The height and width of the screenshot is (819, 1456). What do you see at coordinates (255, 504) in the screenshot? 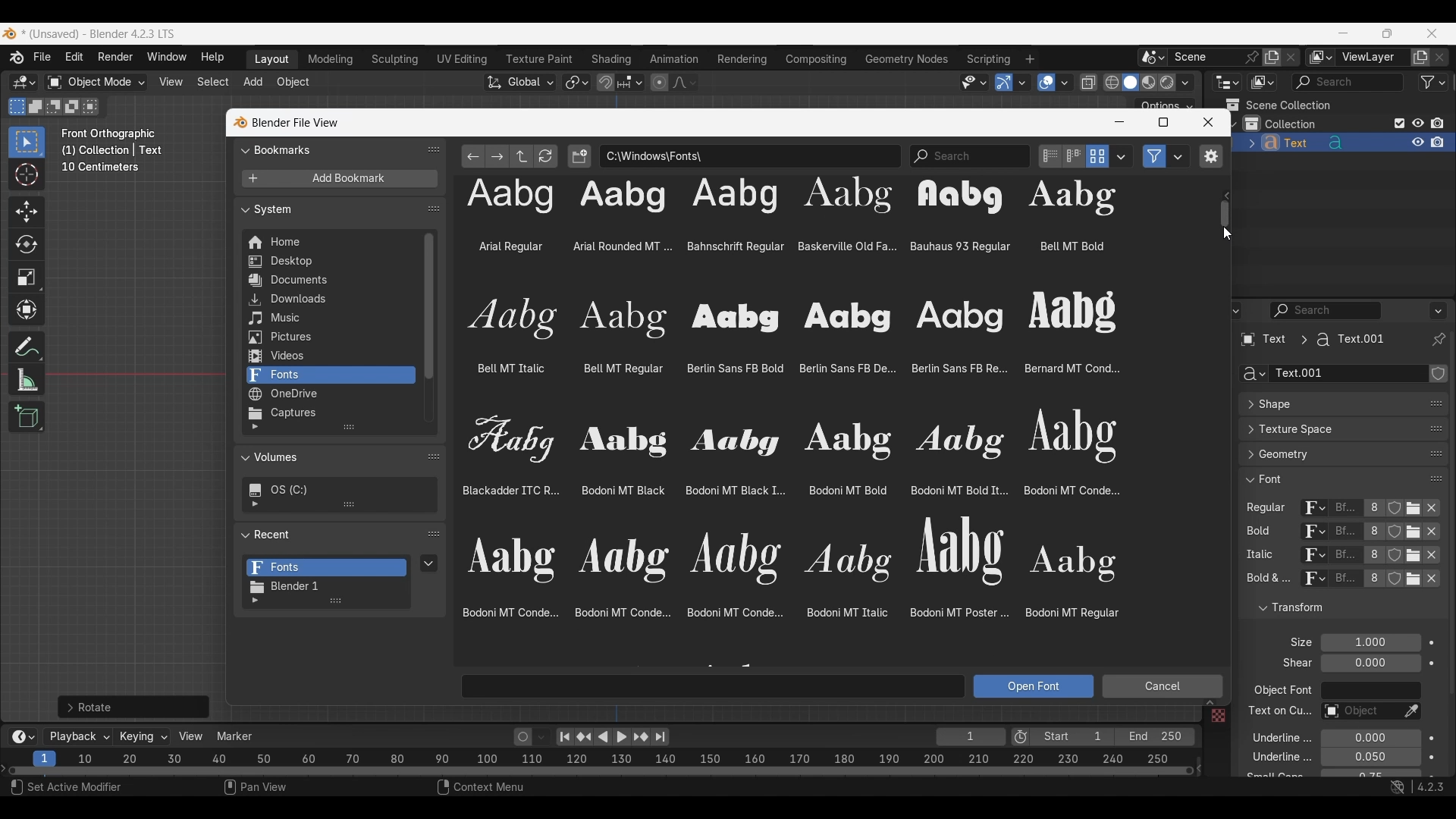
I see `Show filtering options` at bounding box center [255, 504].